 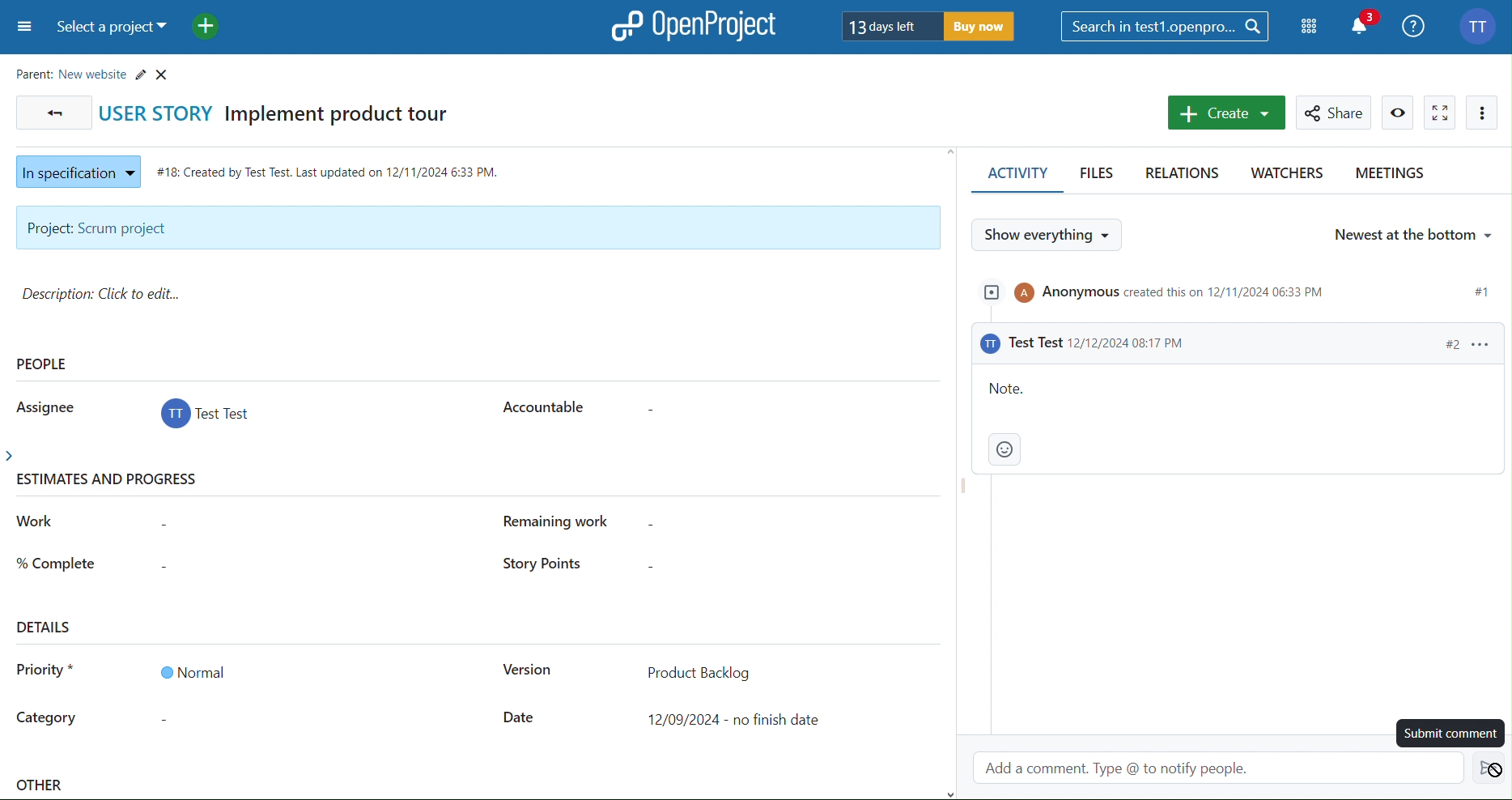 What do you see at coordinates (1336, 113) in the screenshot?
I see `Share` at bounding box center [1336, 113].